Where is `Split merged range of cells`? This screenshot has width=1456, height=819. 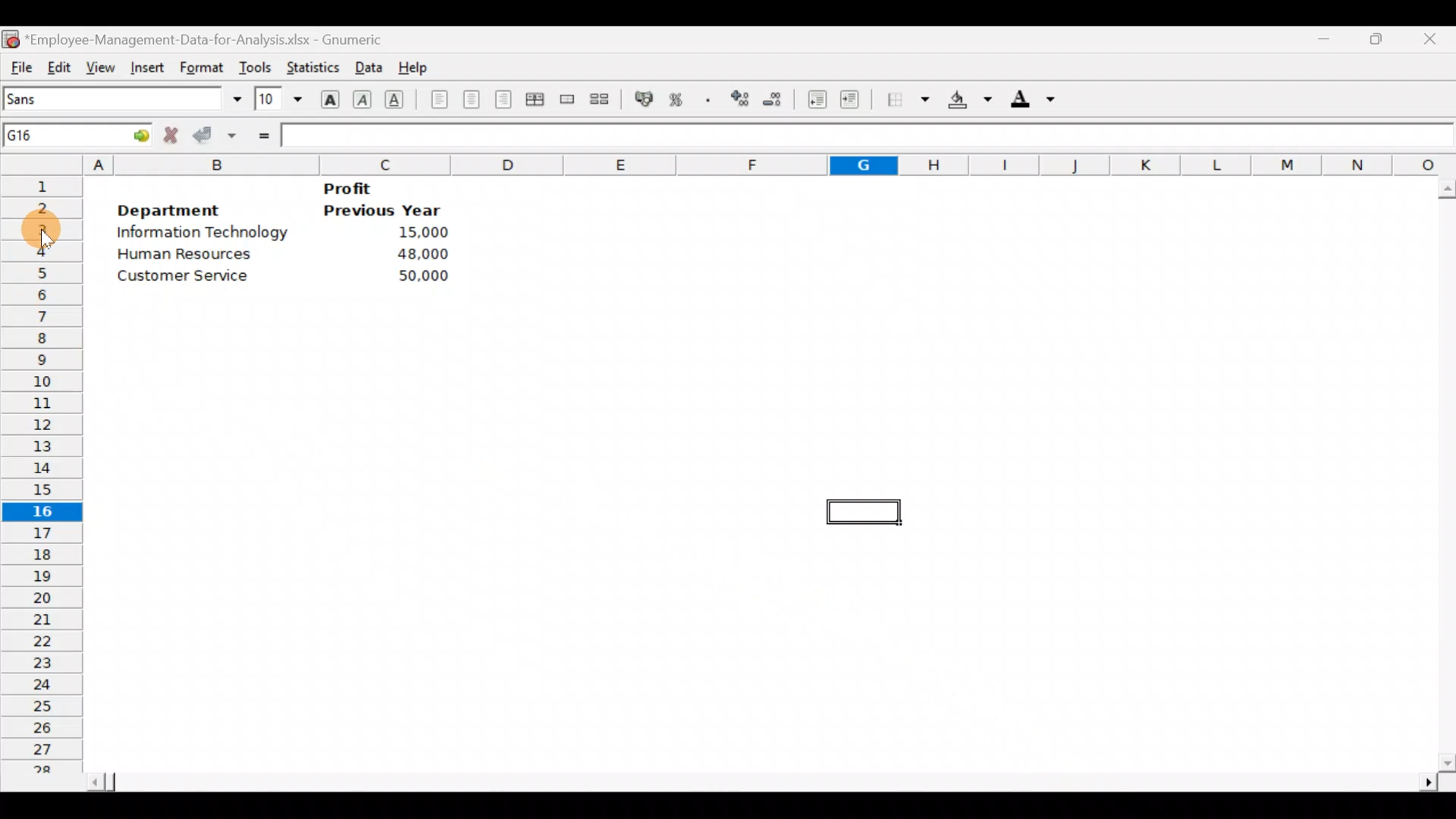
Split merged range of cells is located at coordinates (600, 99).